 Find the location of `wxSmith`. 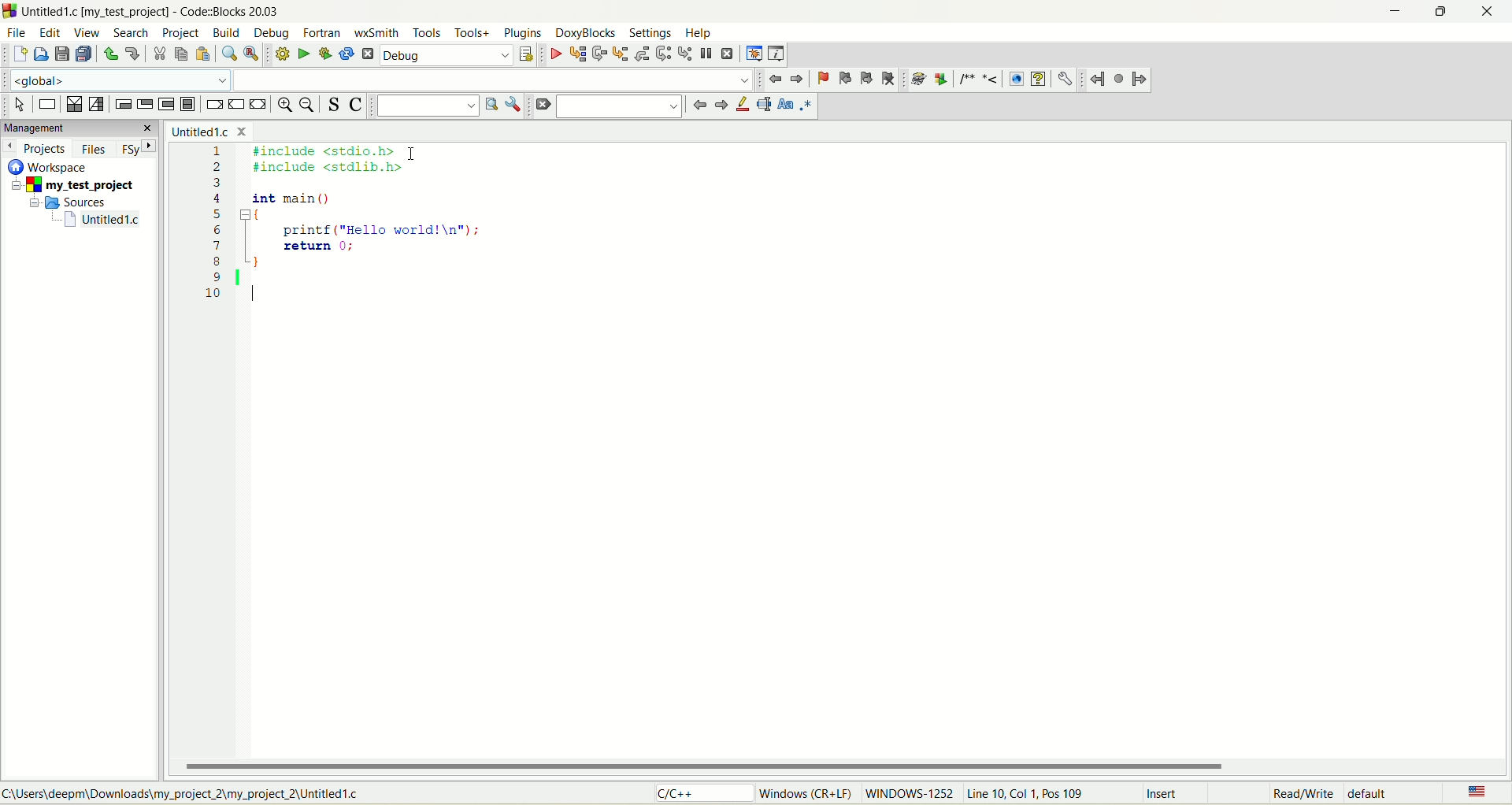

wxSmith is located at coordinates (379, 32).